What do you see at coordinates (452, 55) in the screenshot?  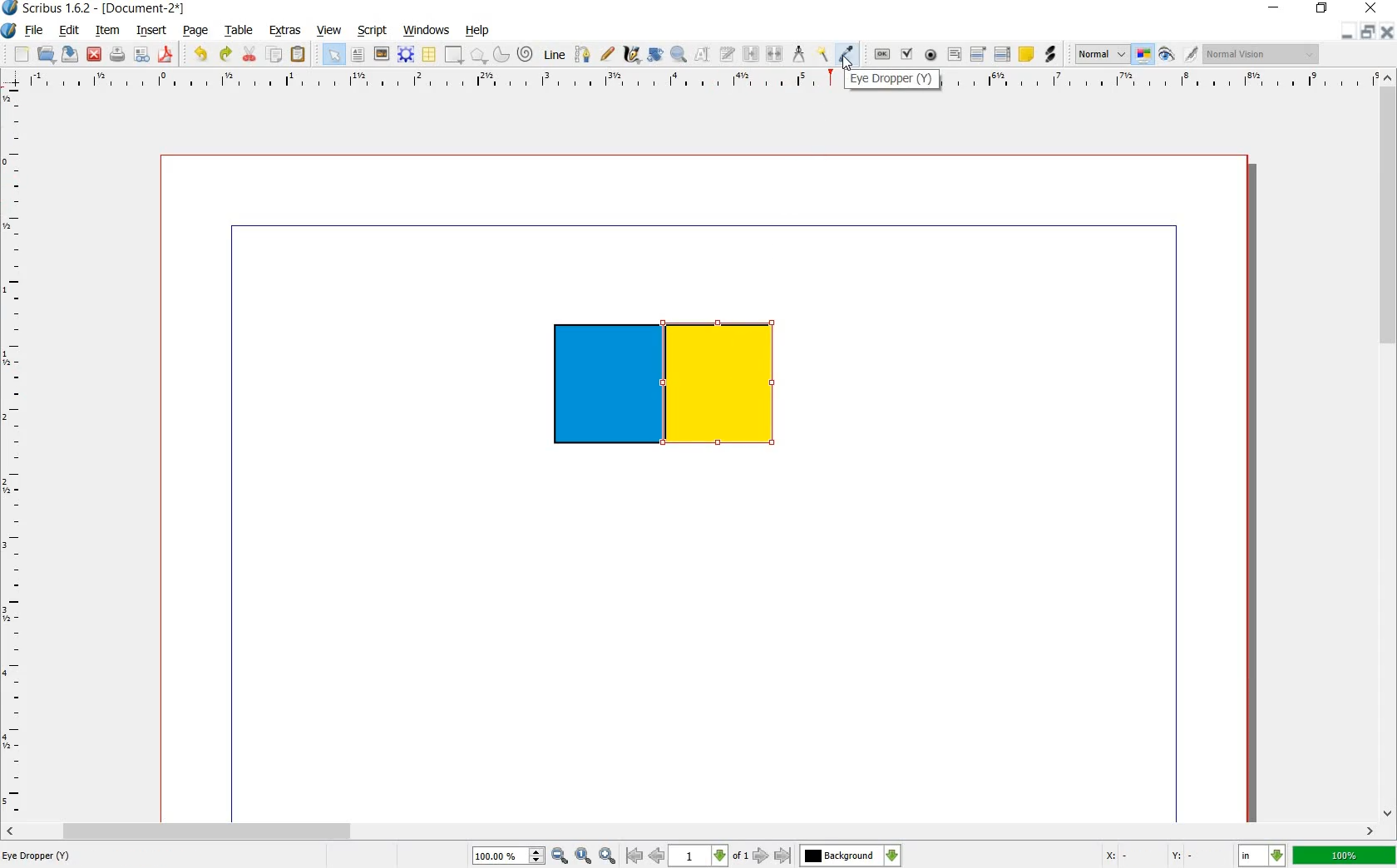 I see `shape` at bounding box center [452, 55].